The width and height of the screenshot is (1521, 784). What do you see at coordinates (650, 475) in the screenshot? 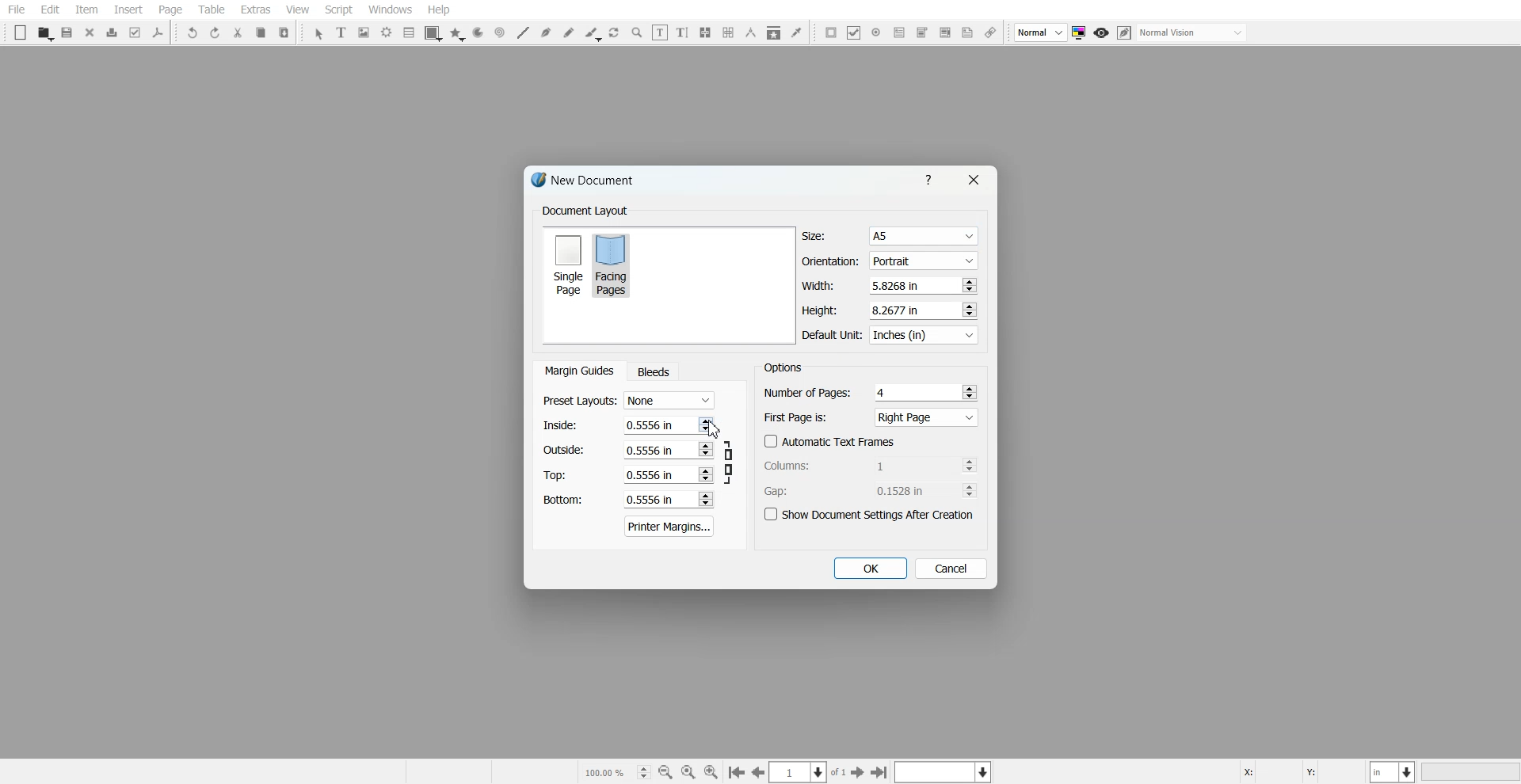
I see `0.5556 in` at bounding box center [650, 475].